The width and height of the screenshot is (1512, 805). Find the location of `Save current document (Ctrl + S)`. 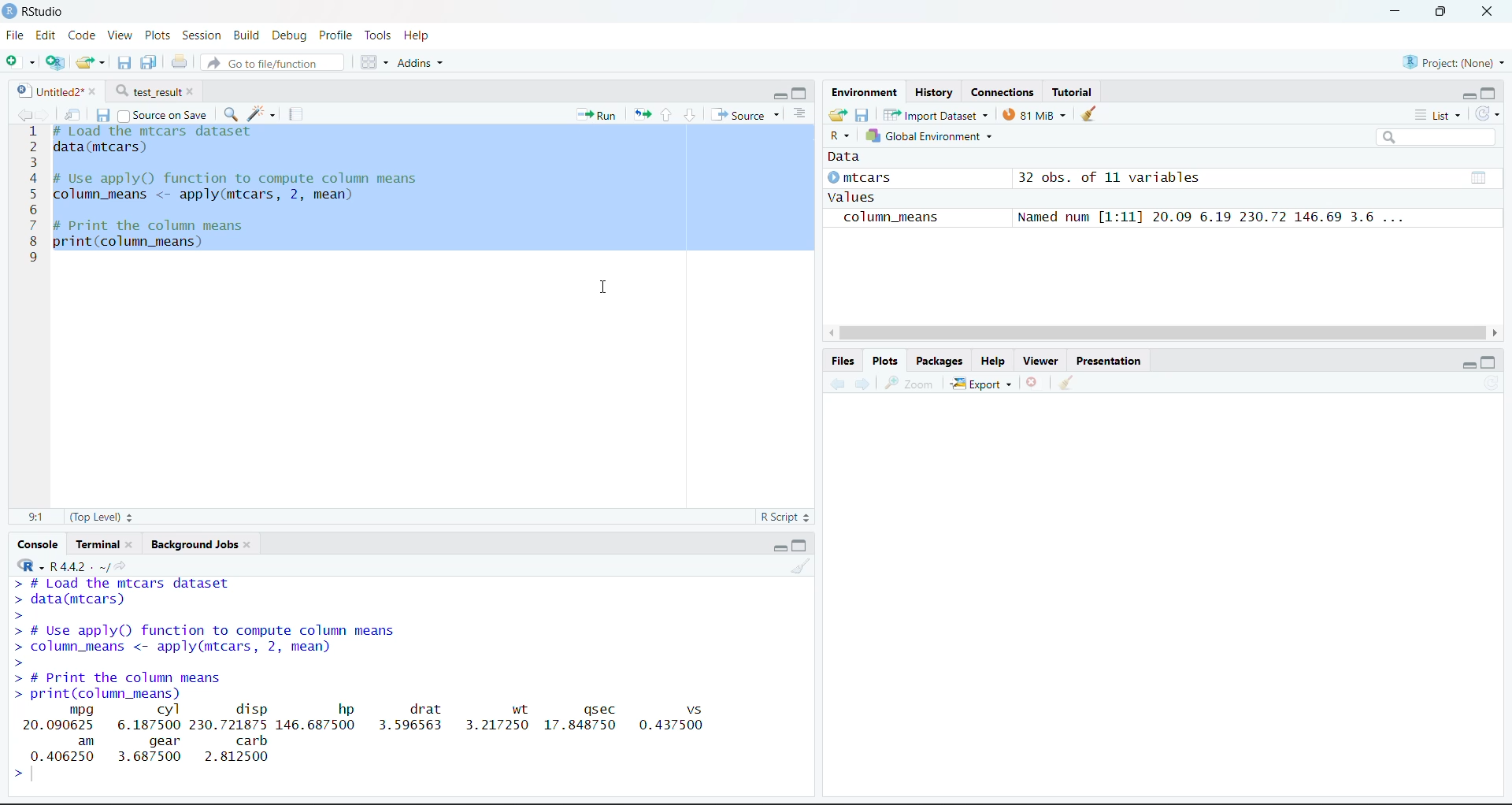

Save current document (Ctrl + S) is located at coordinates (126, 61).